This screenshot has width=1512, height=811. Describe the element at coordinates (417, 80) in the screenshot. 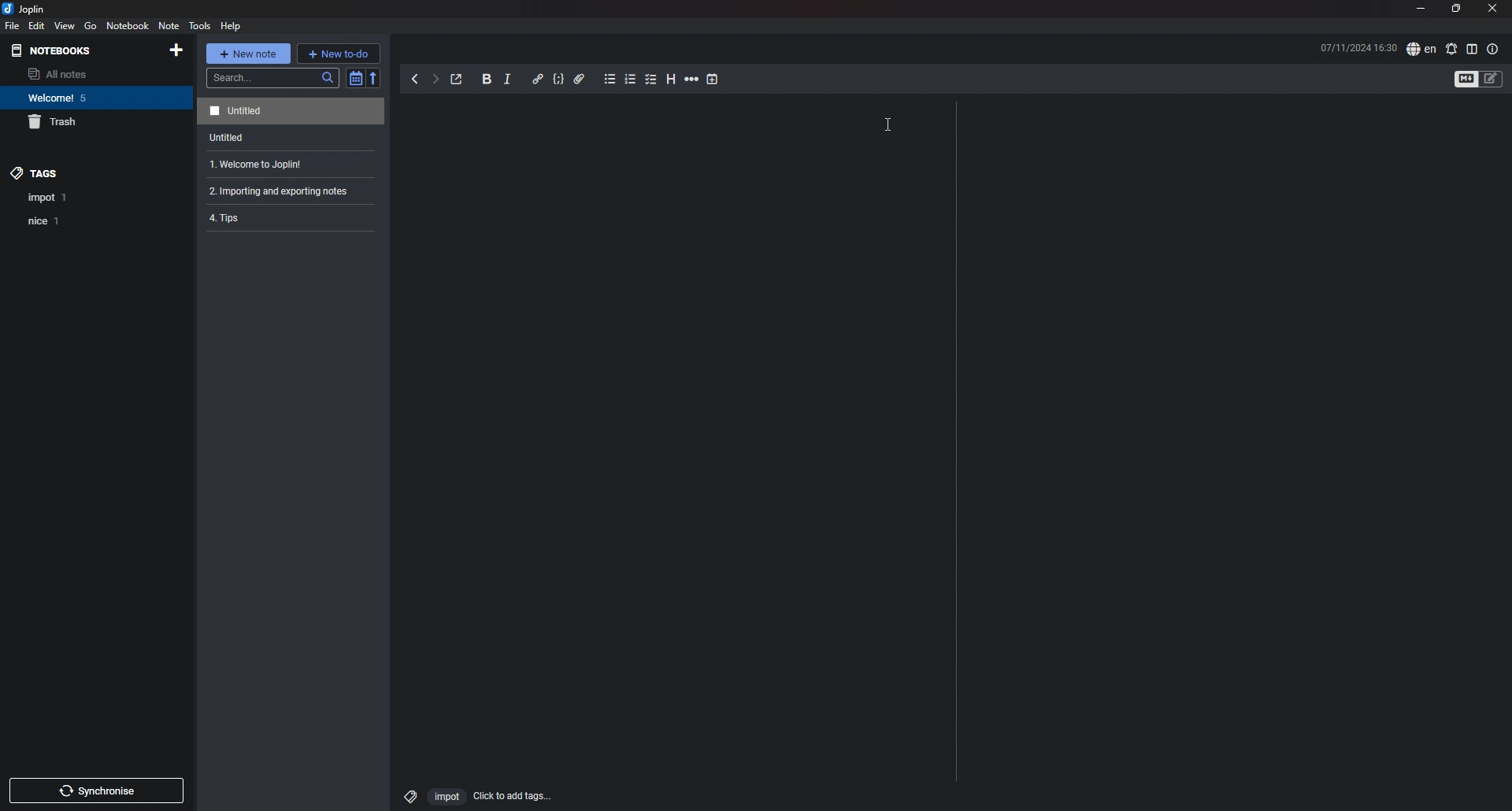

I see `back` at that location.